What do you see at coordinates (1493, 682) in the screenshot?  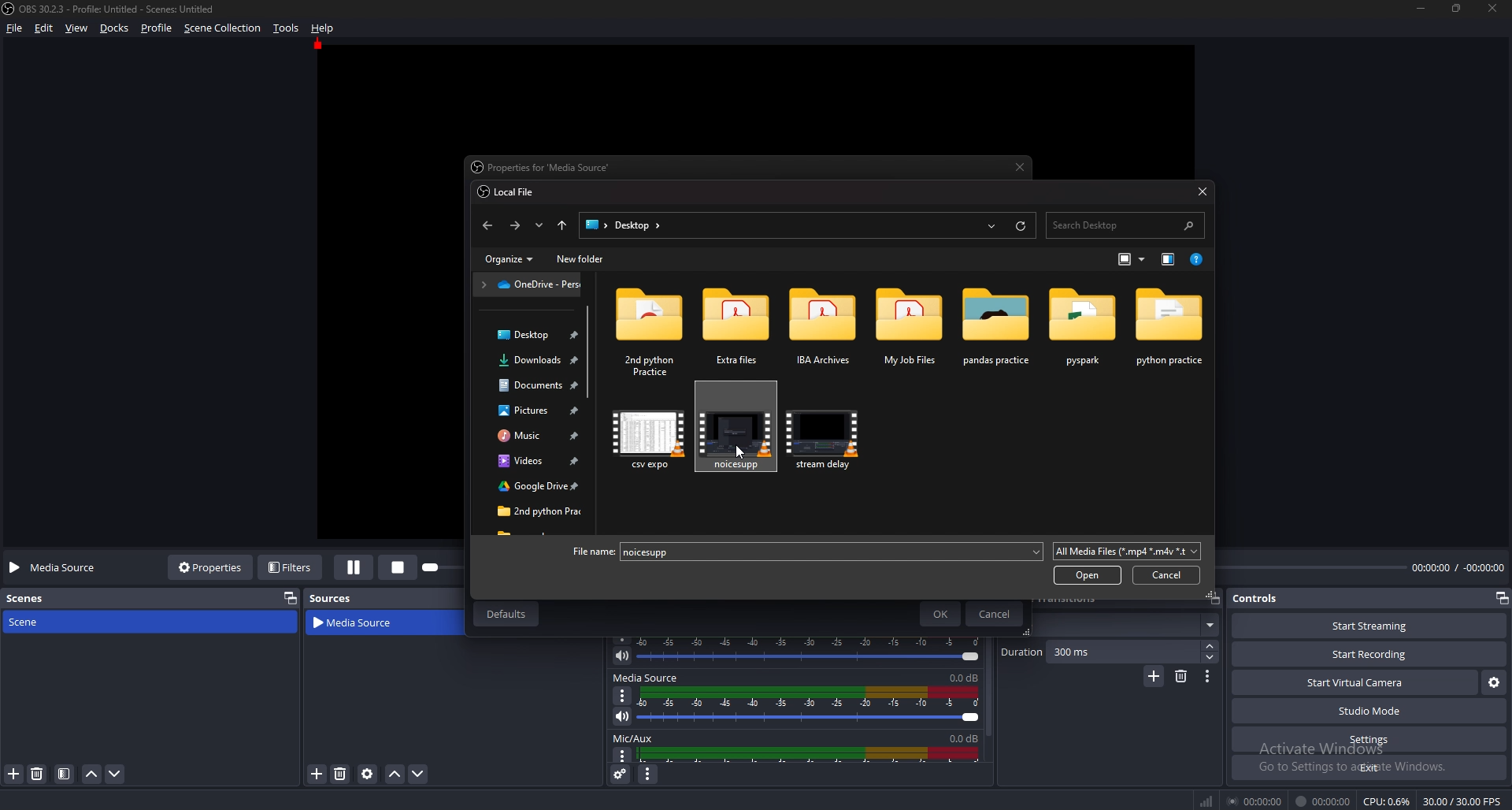 I see `virtual camera settings` at bounding box center [1493, 682].